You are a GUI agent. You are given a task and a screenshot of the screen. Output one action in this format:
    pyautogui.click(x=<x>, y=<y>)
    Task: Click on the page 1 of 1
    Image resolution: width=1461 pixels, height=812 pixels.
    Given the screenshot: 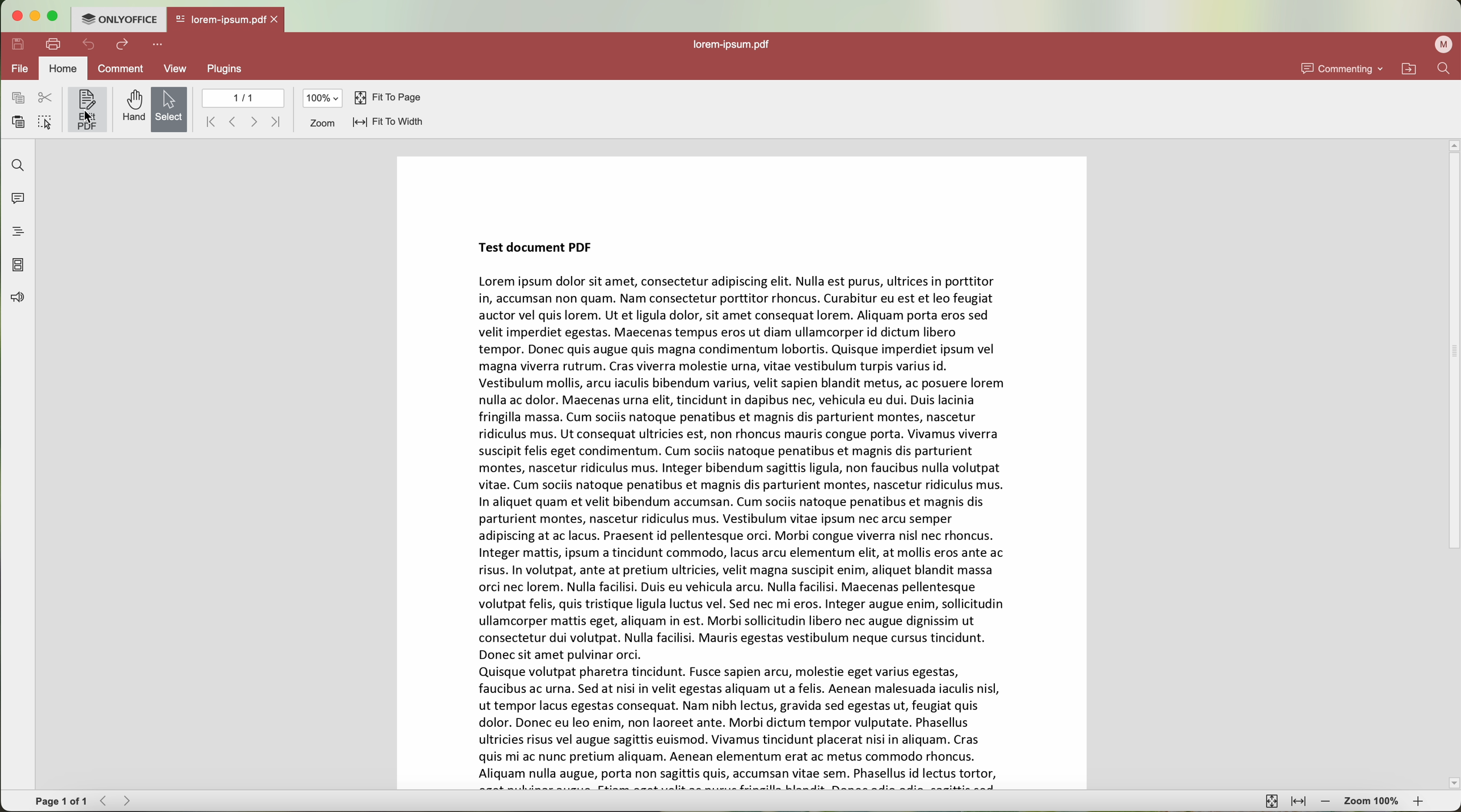 What is the action you would take?
    pyautogui.click(x=57, y=802)
    